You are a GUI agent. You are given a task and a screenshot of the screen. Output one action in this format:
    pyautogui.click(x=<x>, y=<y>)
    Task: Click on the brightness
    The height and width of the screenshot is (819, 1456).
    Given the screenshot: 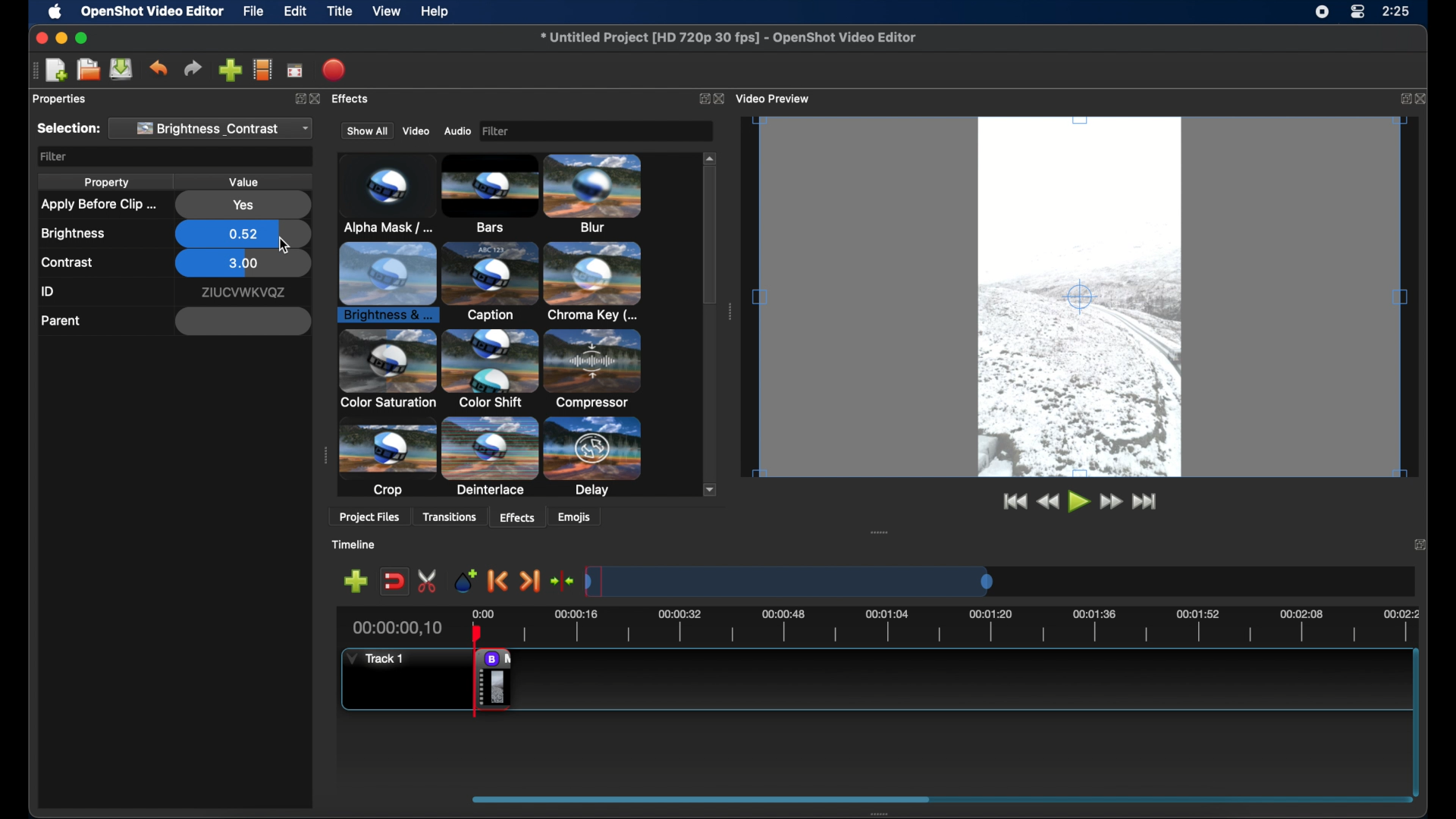 What is the action you would take?
    pyautogui.click(x=74, y=234)
    